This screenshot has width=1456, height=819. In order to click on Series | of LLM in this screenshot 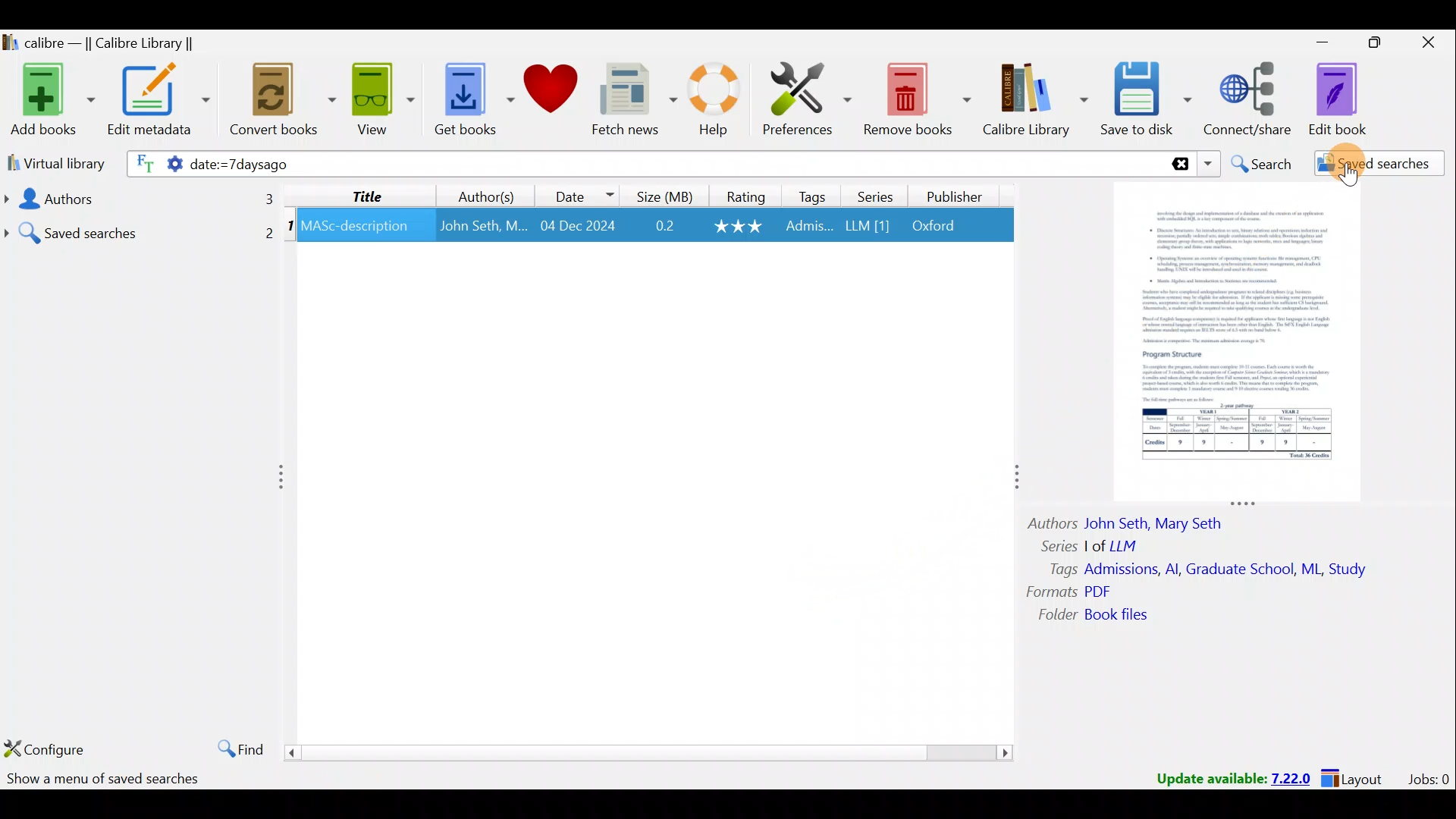, I will do `click(1097, 544)`.